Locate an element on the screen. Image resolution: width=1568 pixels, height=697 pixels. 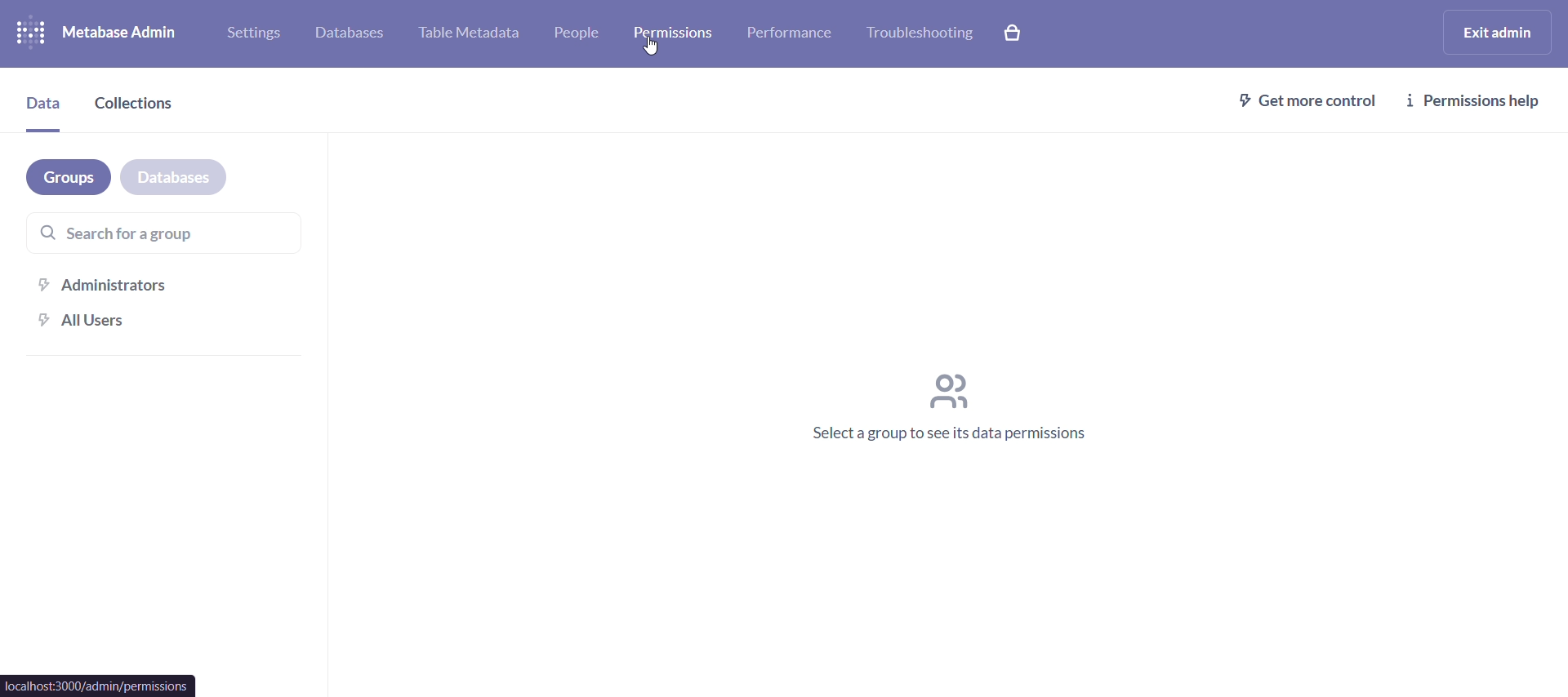
permission help is located at coordinates (1476, 100).